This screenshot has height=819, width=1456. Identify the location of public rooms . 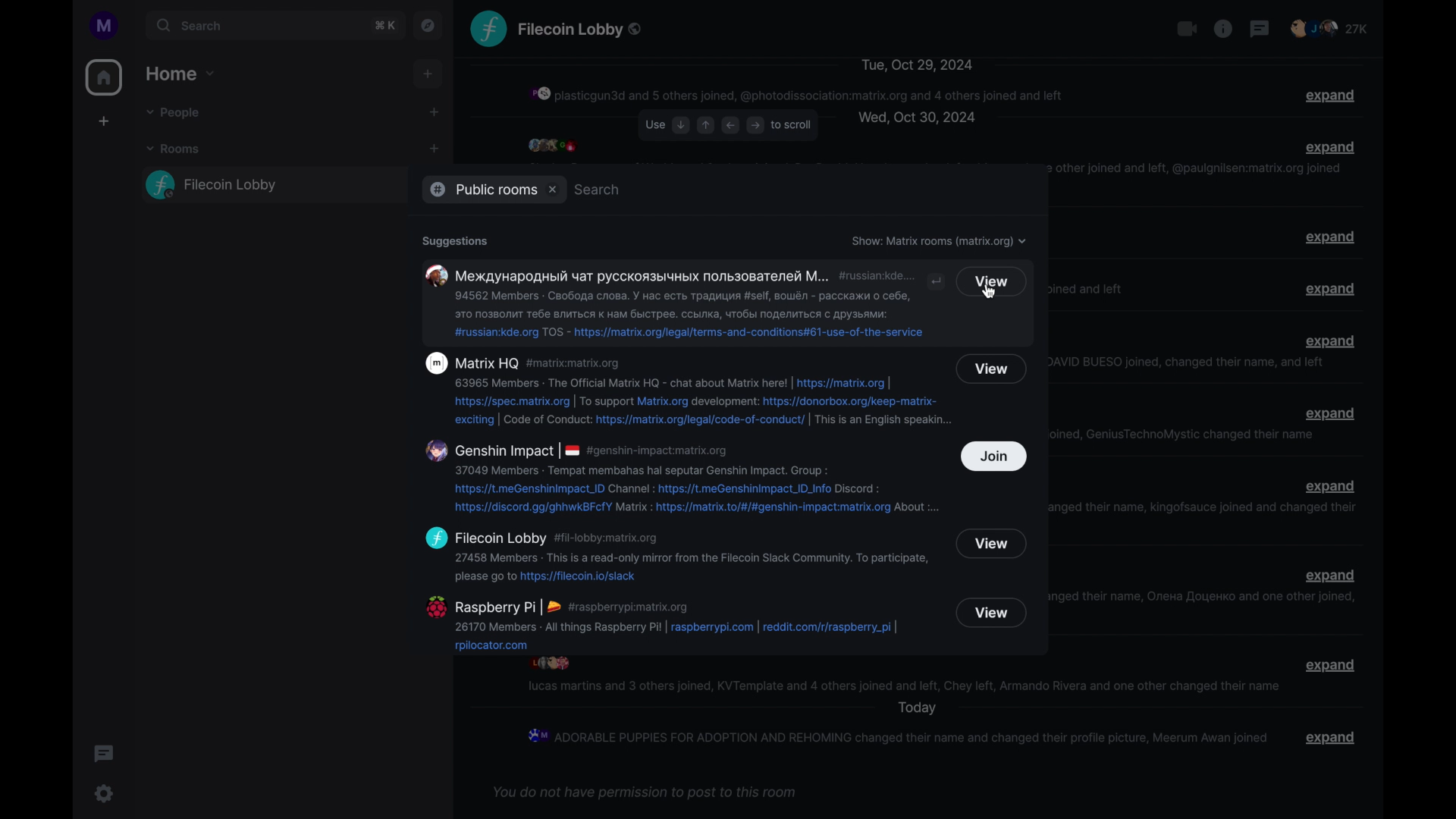
(480, 190).